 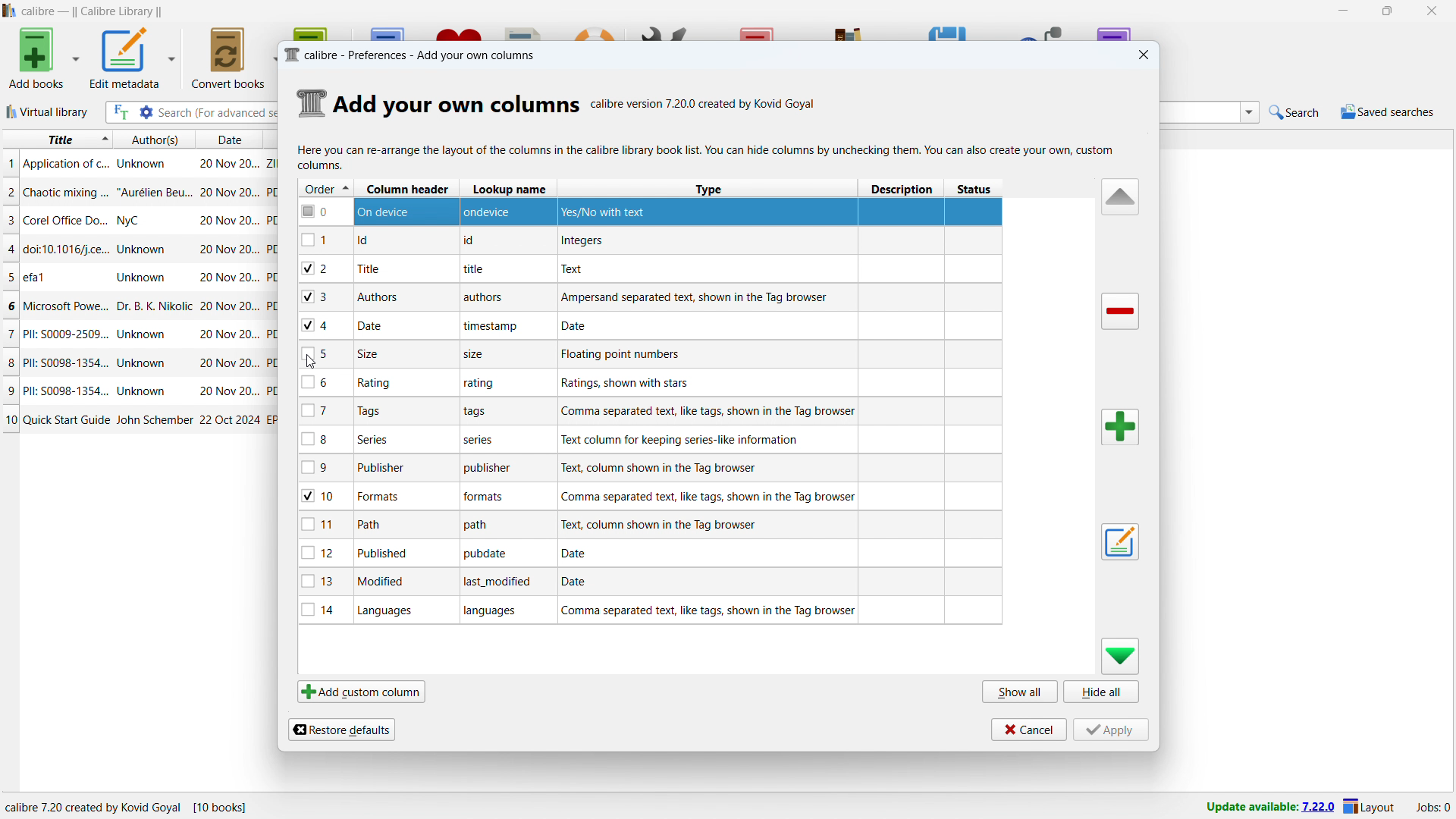 What do you see at coordinates (9, 390) in the screenshot?
I see `9` at bounding box center [9, 390].